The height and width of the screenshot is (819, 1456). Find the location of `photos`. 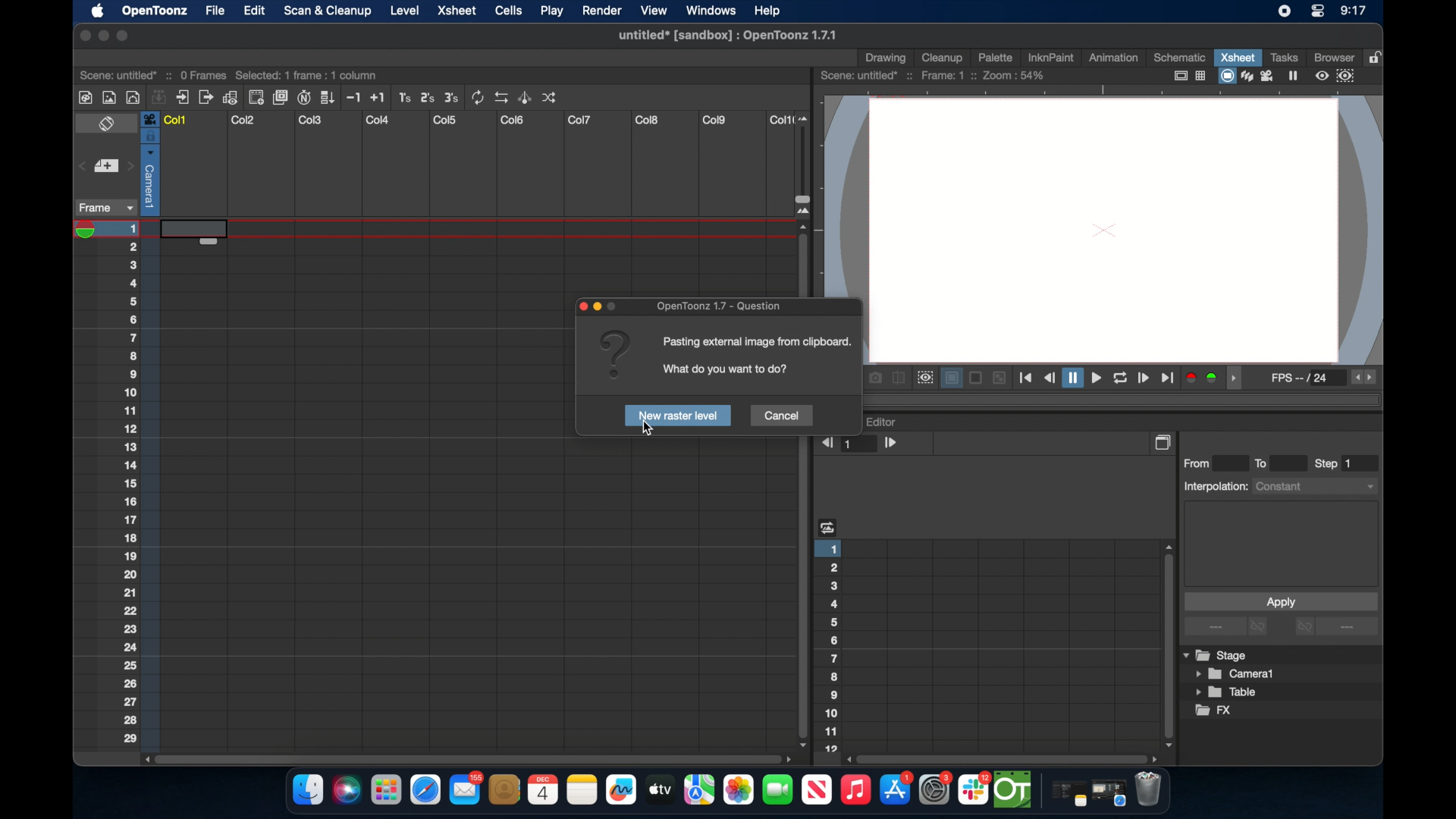

photos is located at coordinates (738, 790).